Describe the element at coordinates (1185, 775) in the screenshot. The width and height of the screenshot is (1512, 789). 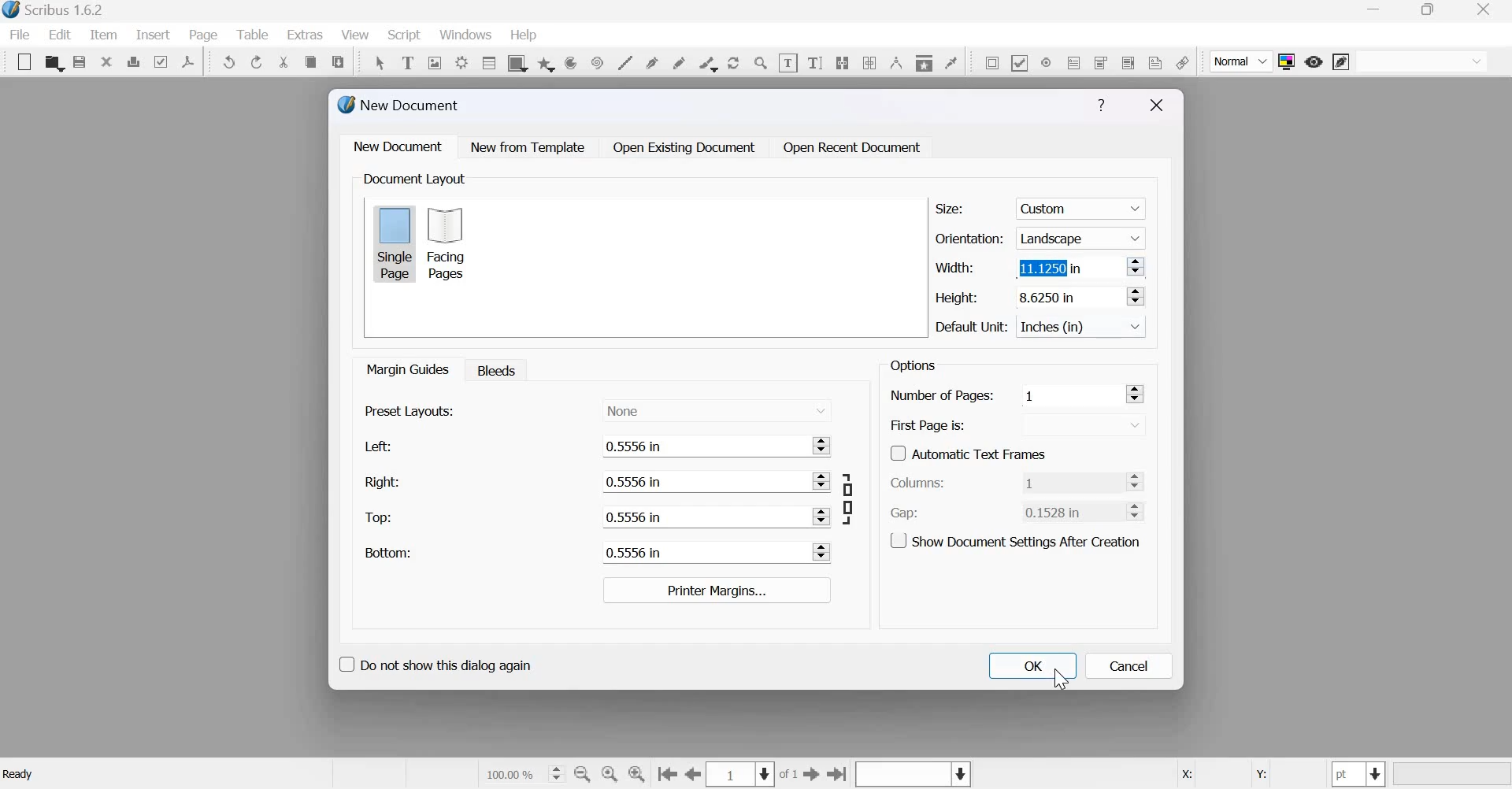
I see `X:` at that location.